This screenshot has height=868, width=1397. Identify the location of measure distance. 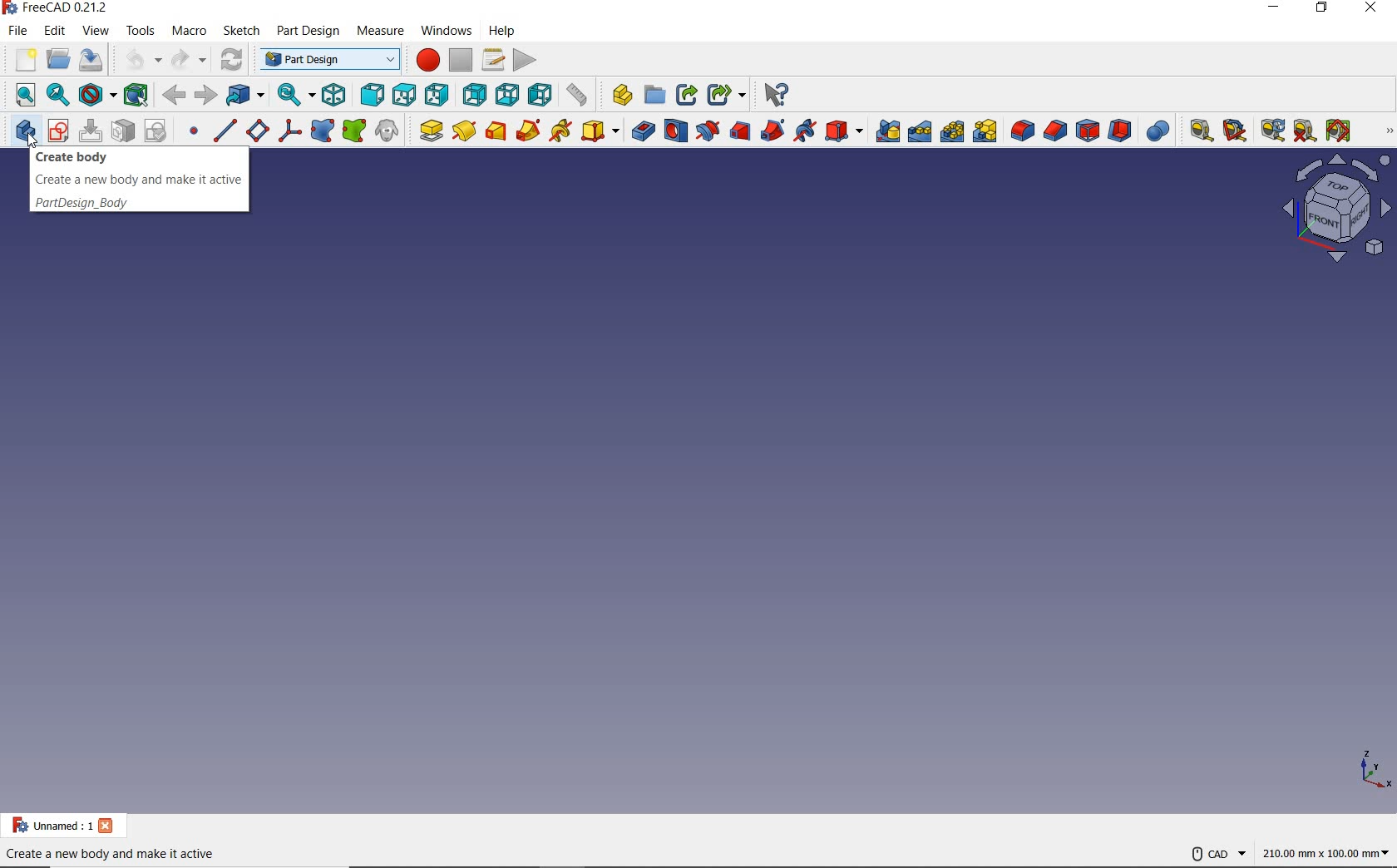
(576, 96).